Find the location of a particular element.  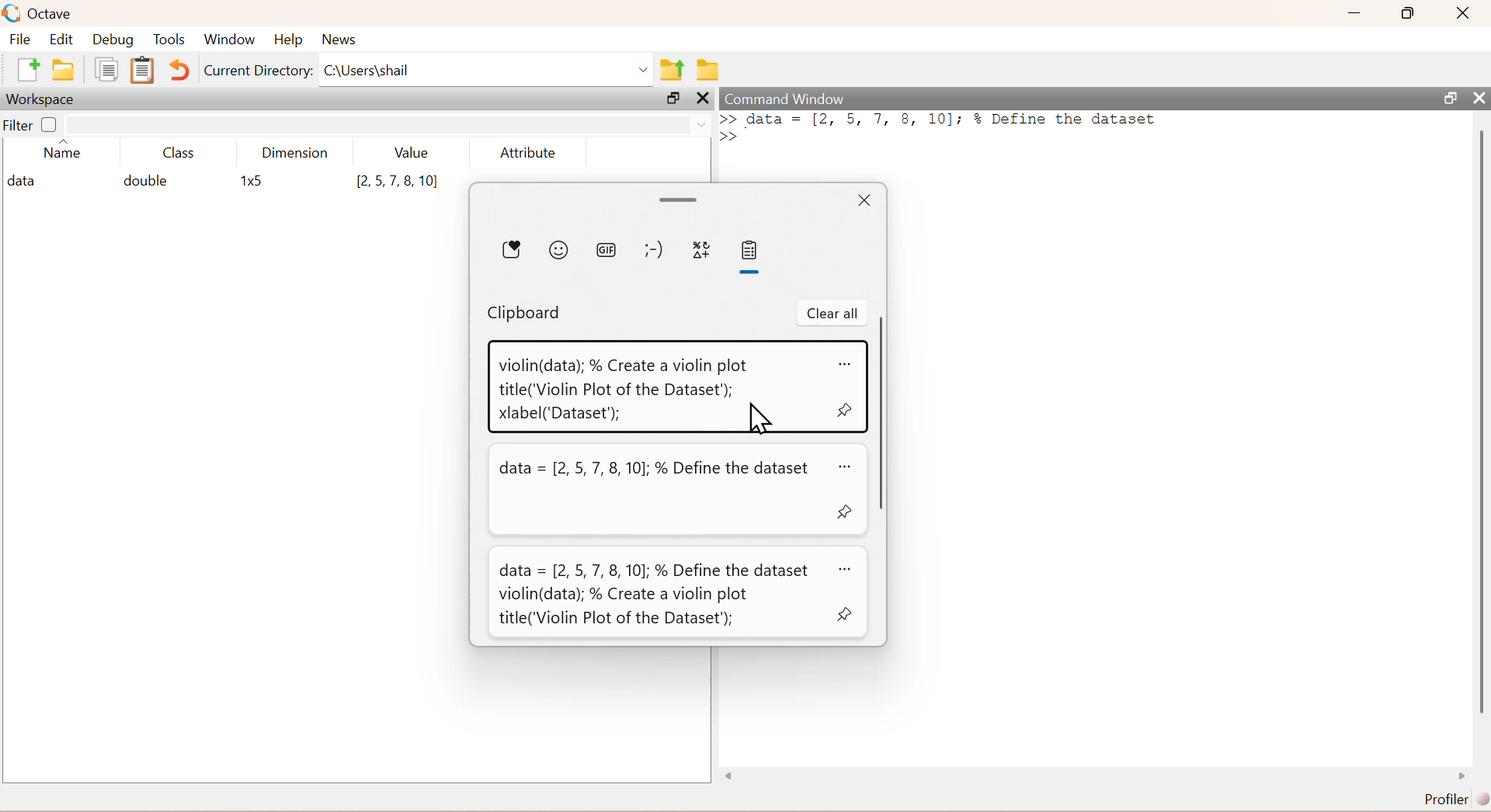

scroll right is located at coordinates (1462, 776).